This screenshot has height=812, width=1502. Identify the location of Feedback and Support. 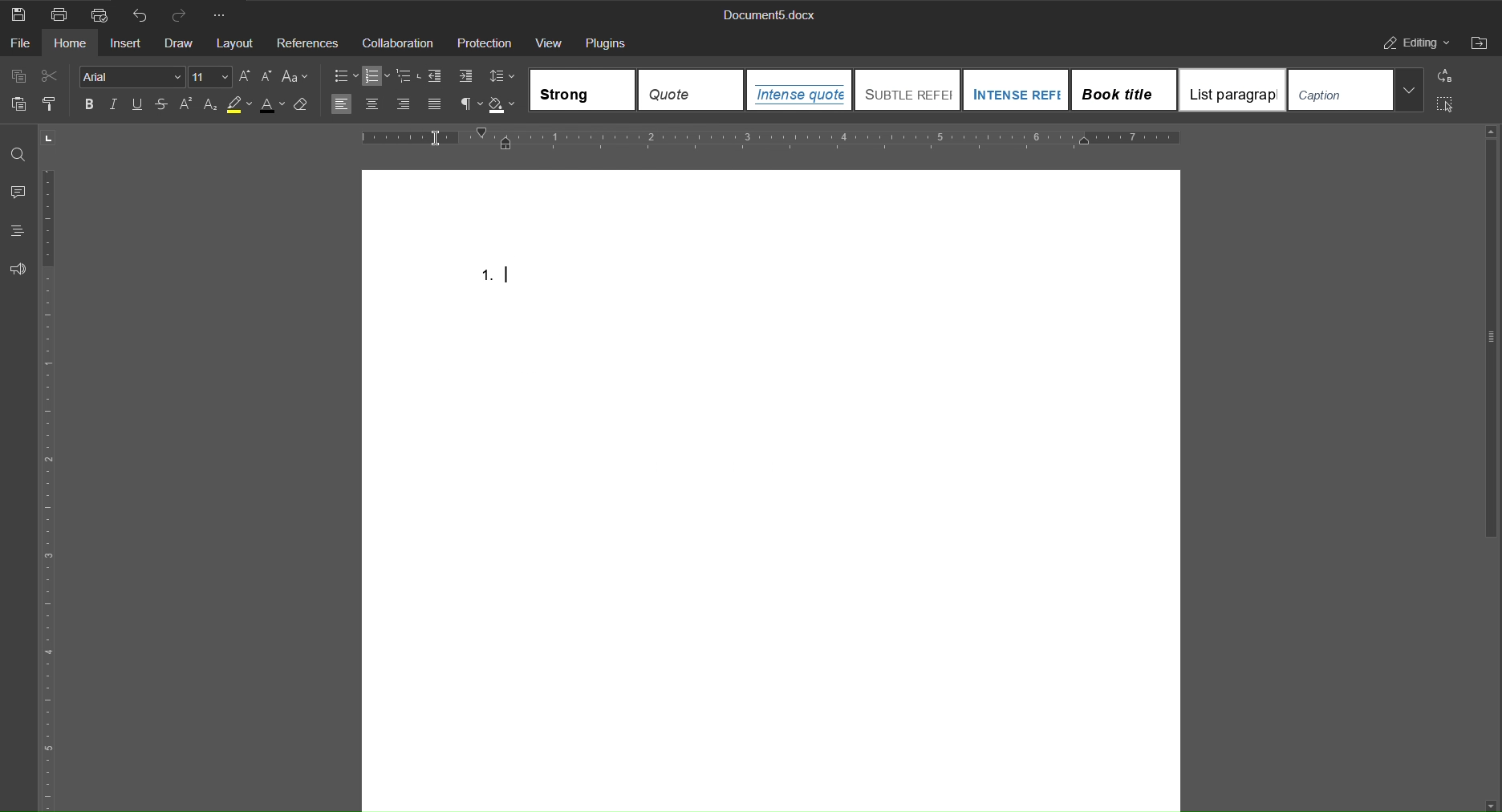
(18, 267).